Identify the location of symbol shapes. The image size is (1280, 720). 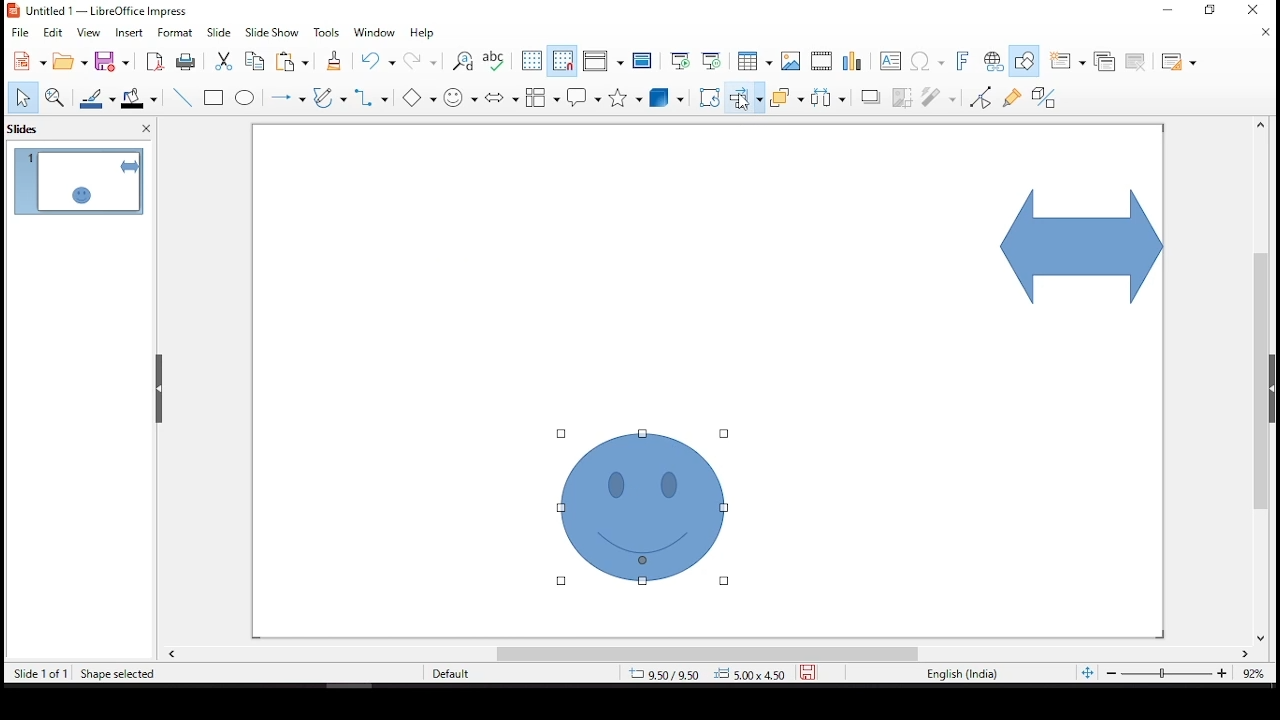
(463, 96).